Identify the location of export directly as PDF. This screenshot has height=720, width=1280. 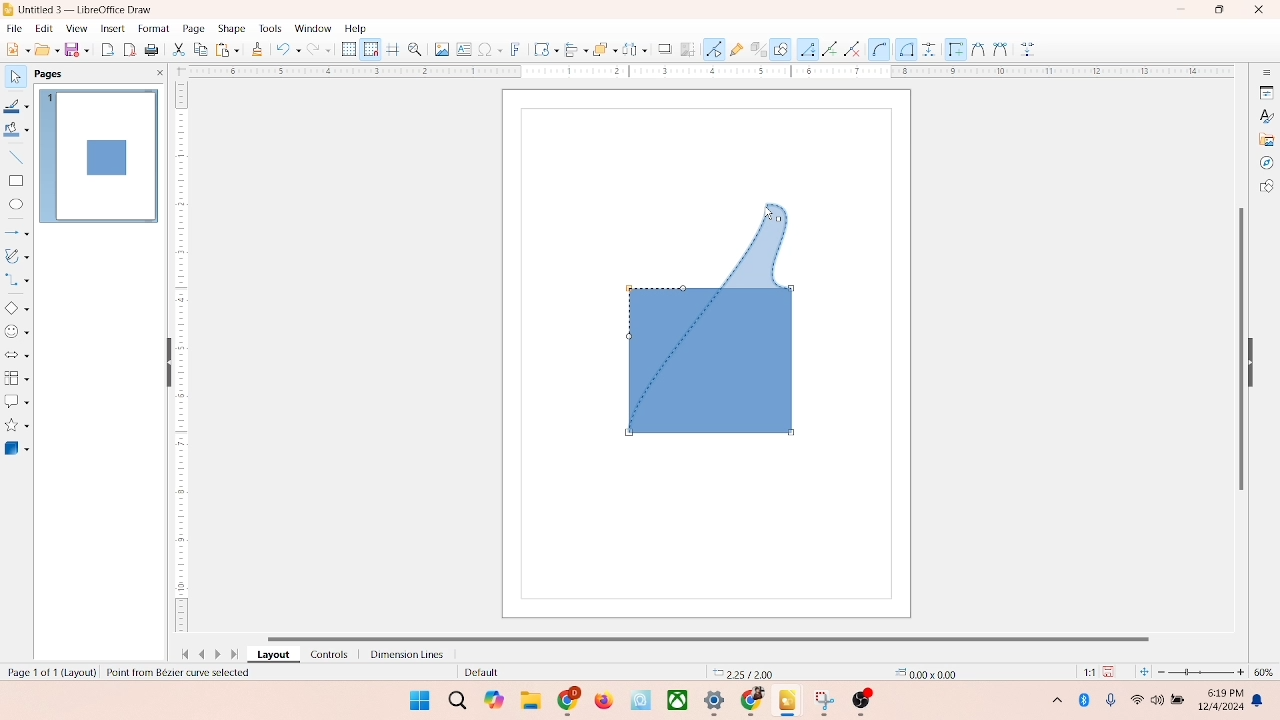
(131, 49).